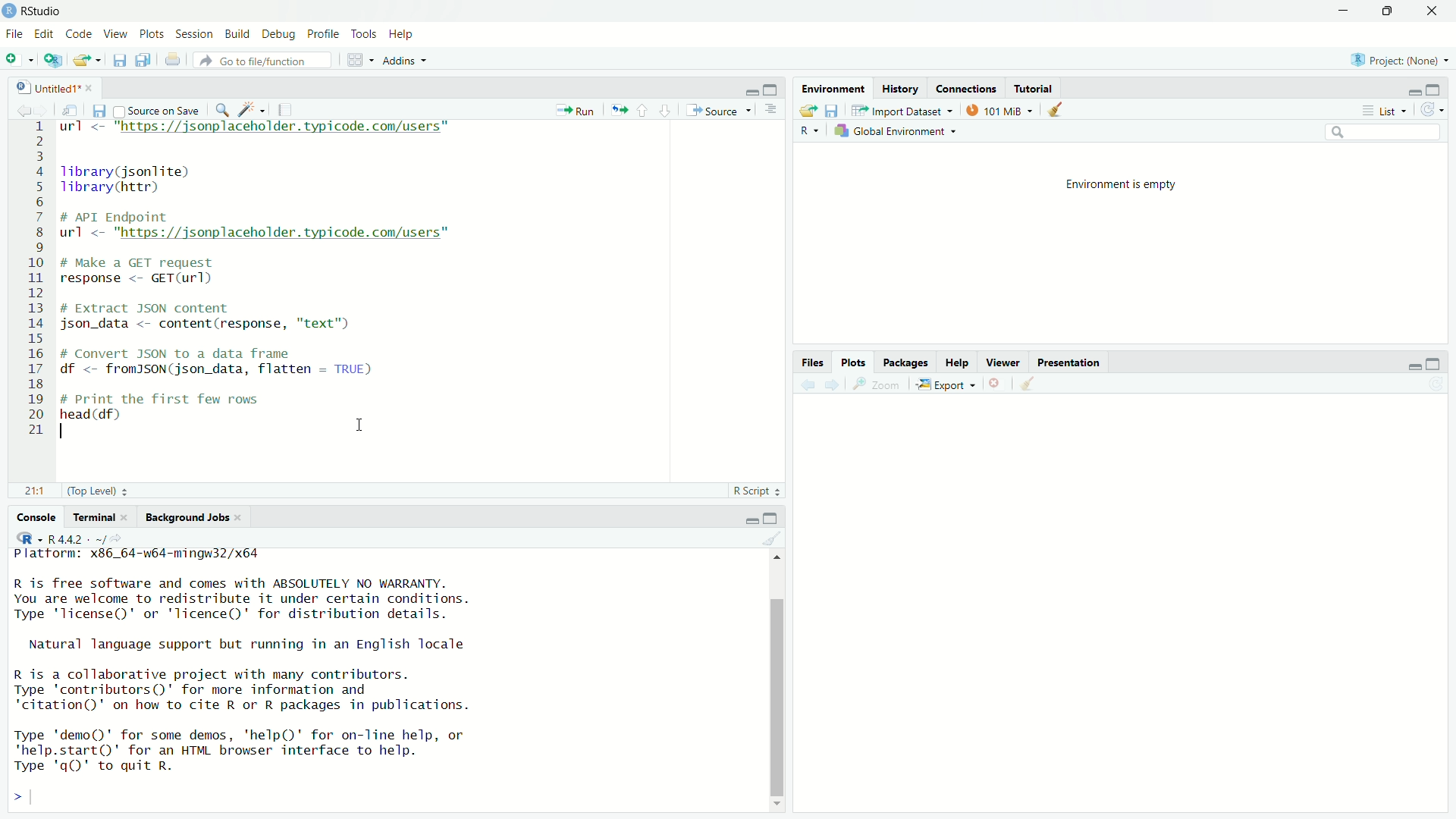 The image size is (1456, 819). What do you see at coordinates (162, 411) in the screenshot?
I see `# Print the first few rows
head (df)` at bounding box center [162, 411].